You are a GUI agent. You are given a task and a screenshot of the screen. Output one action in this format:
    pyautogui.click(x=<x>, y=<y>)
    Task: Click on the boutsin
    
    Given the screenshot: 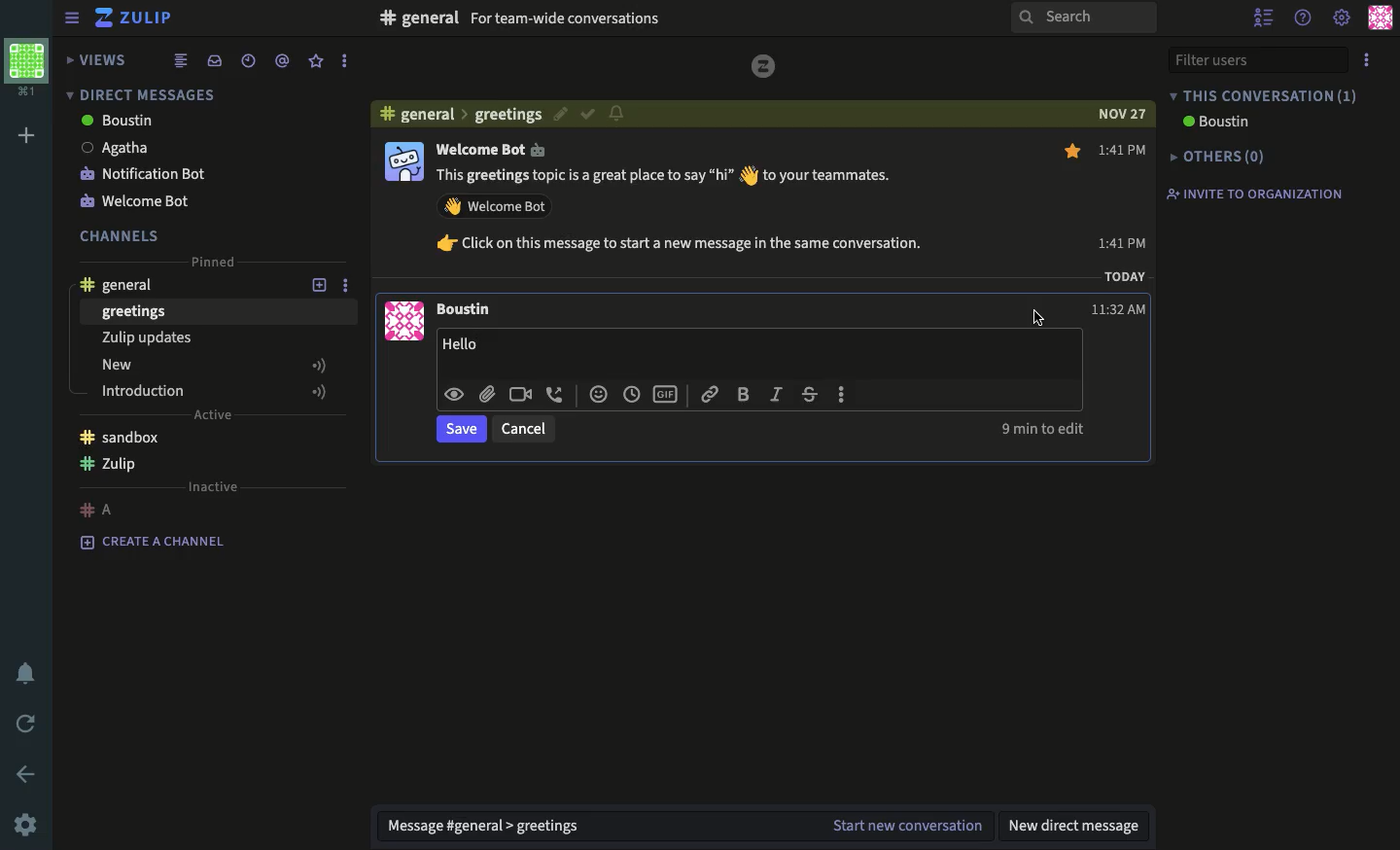 What is the action you would take?
    pyautogui.click(x=120, y=121)
    